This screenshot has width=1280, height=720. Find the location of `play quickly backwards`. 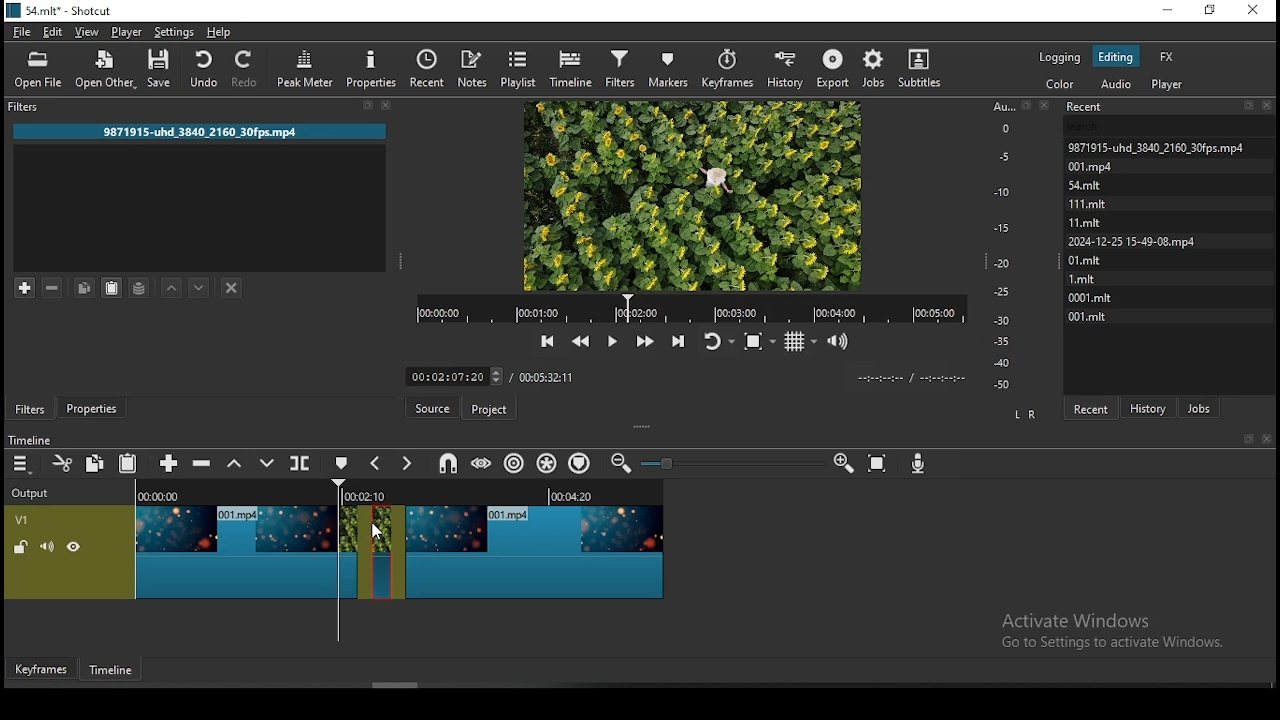

play quickly backwards is located at coordinates (579, 342).